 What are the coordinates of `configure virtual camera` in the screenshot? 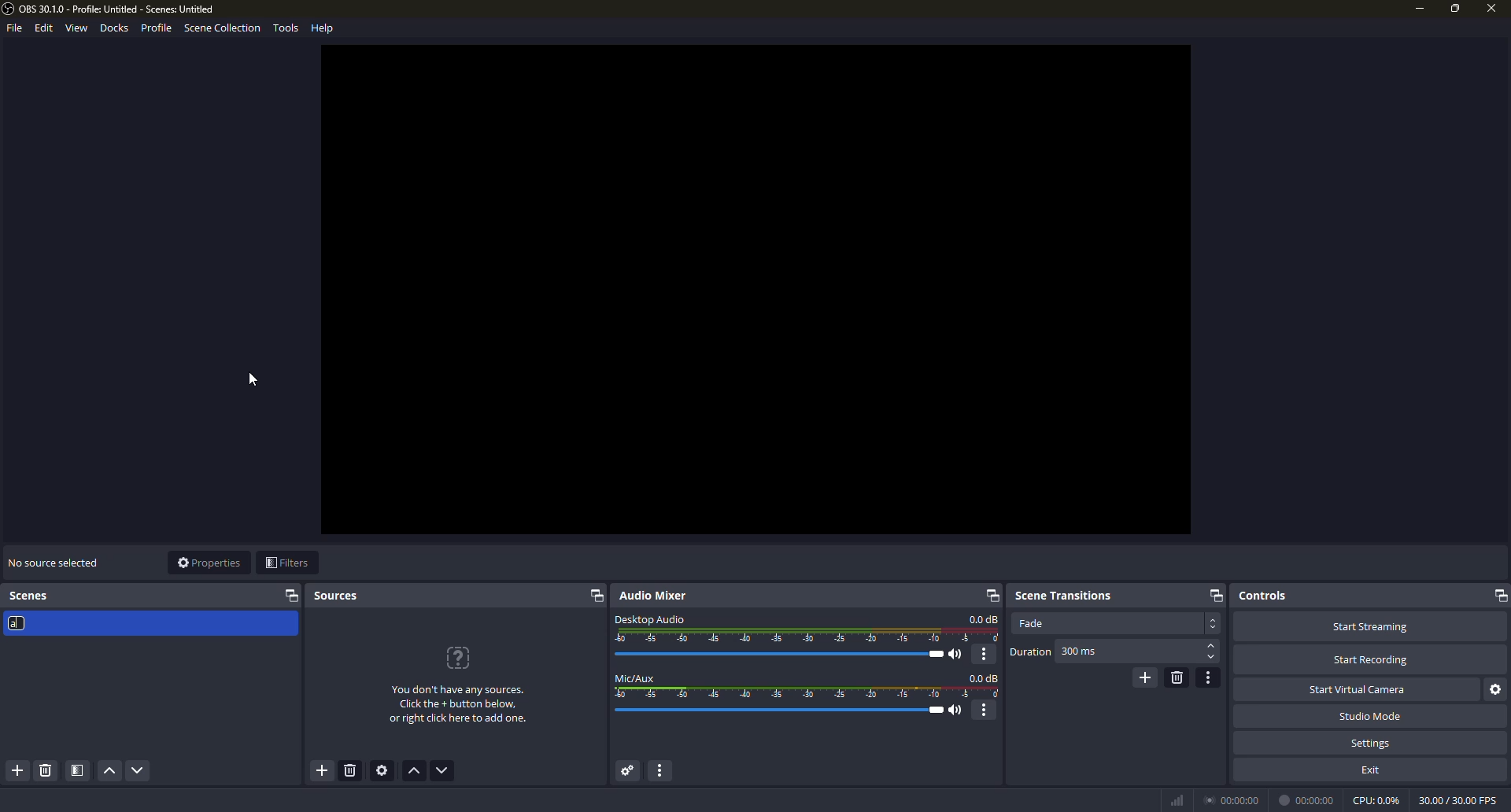 It's located at (1497, 689).